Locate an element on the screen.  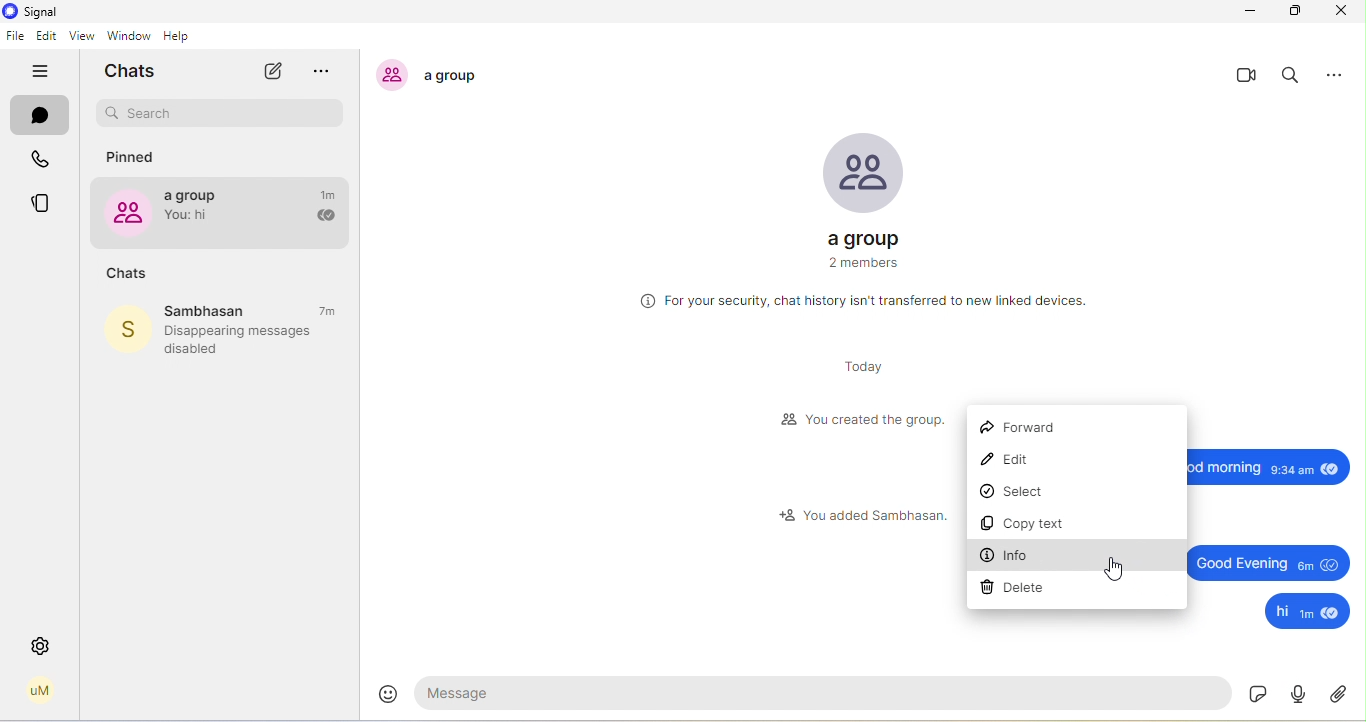
copy text is located at coordinates (1022, 526).